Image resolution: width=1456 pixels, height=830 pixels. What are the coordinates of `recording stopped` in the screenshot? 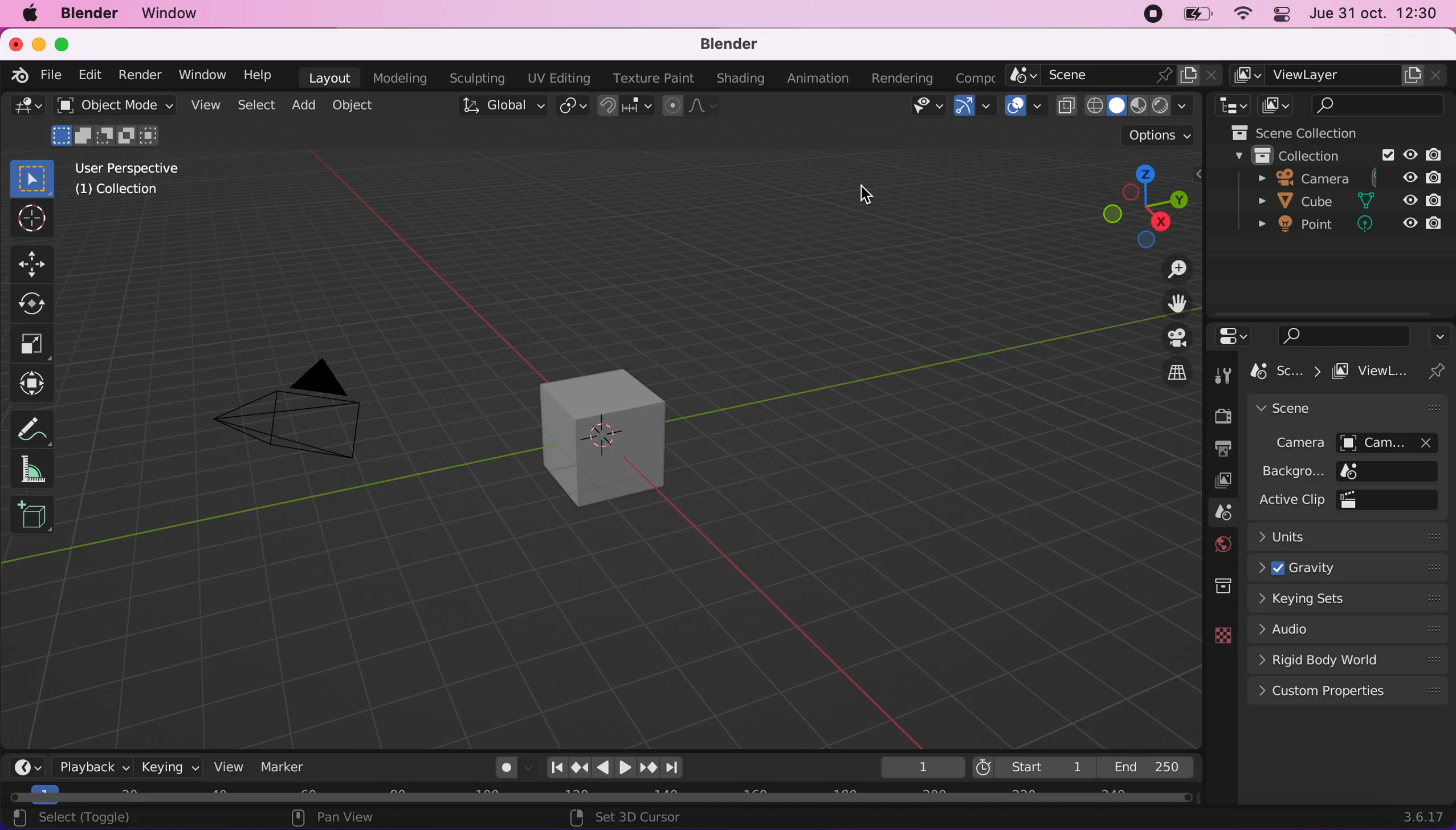 It's located at (1155, 15).